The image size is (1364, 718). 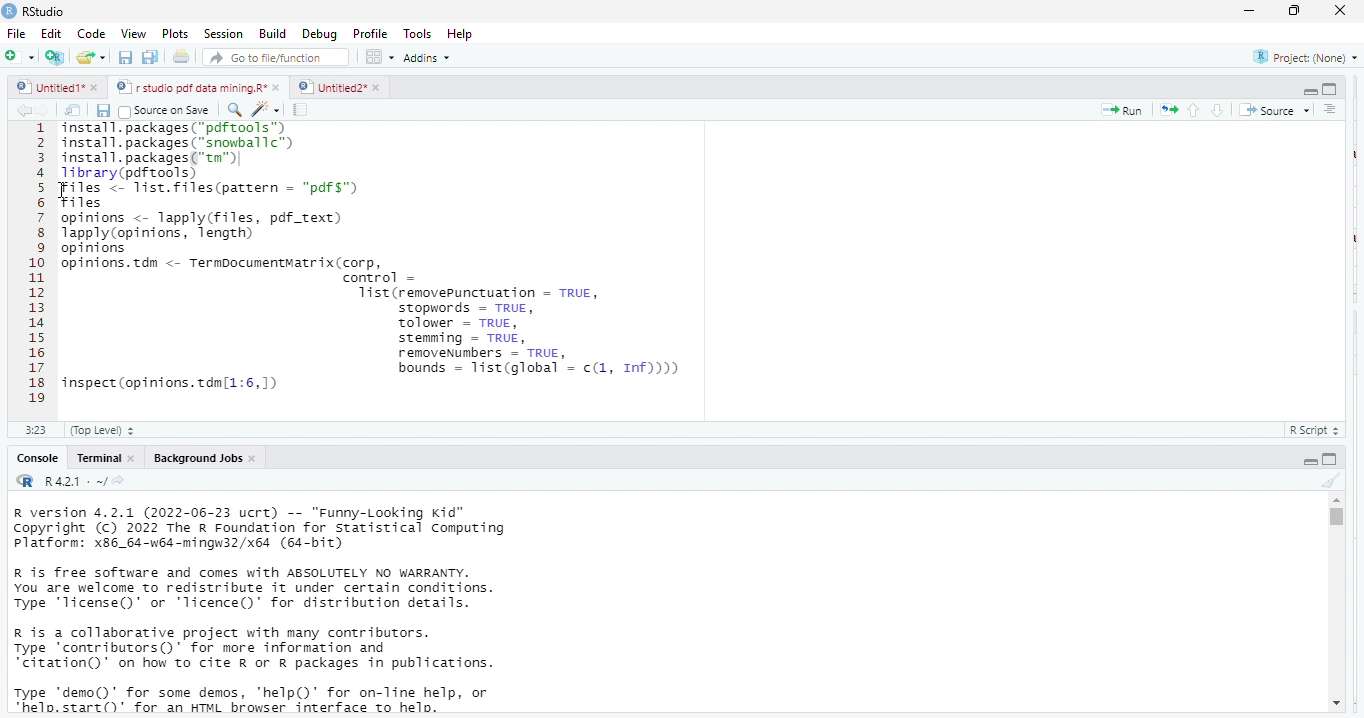 I want to click on R421: ~/, so click(x=84, y=482).